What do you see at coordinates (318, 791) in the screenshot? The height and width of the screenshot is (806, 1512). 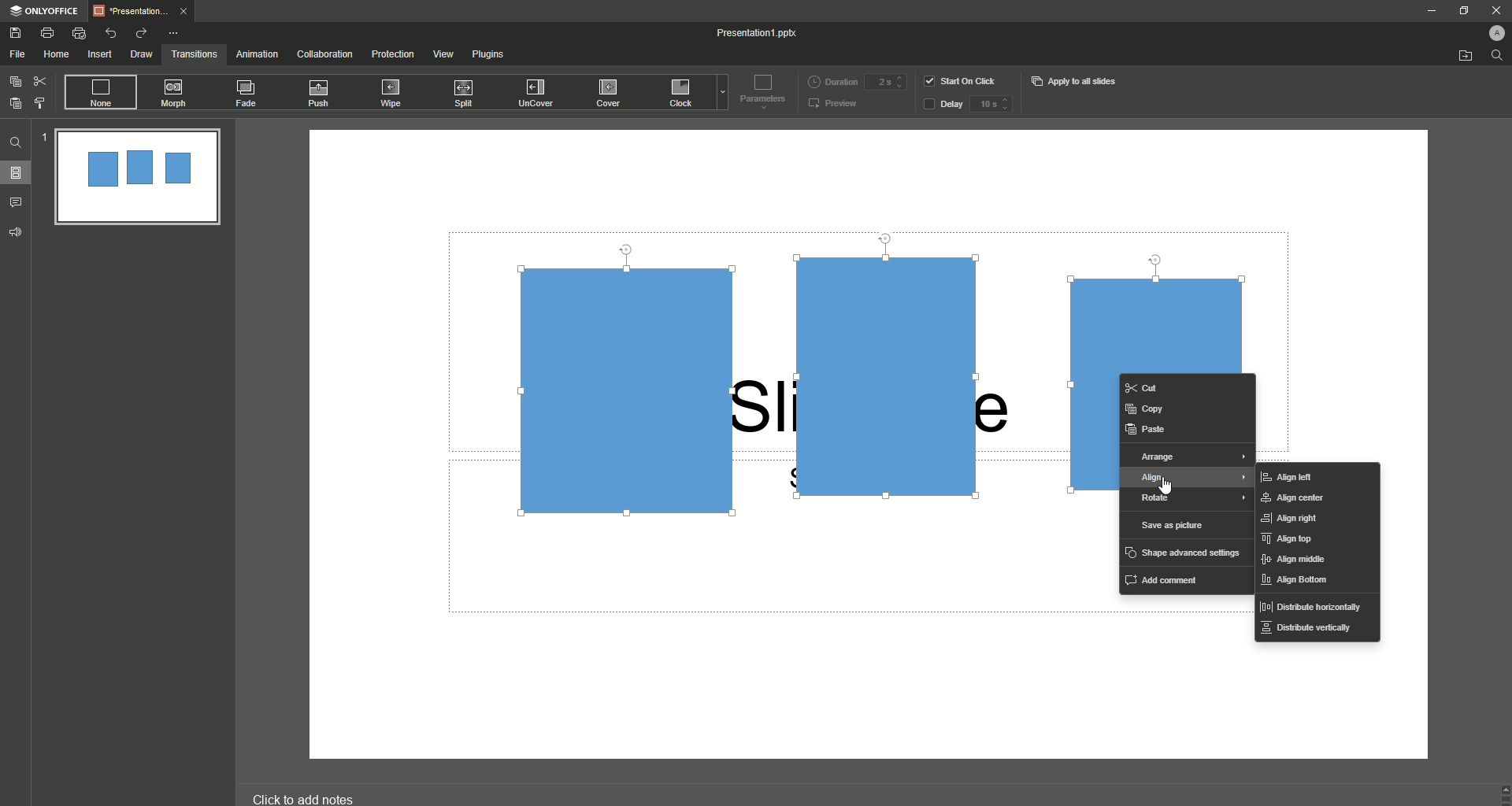 I see `click to add notes` at bounding box center [318, 791].